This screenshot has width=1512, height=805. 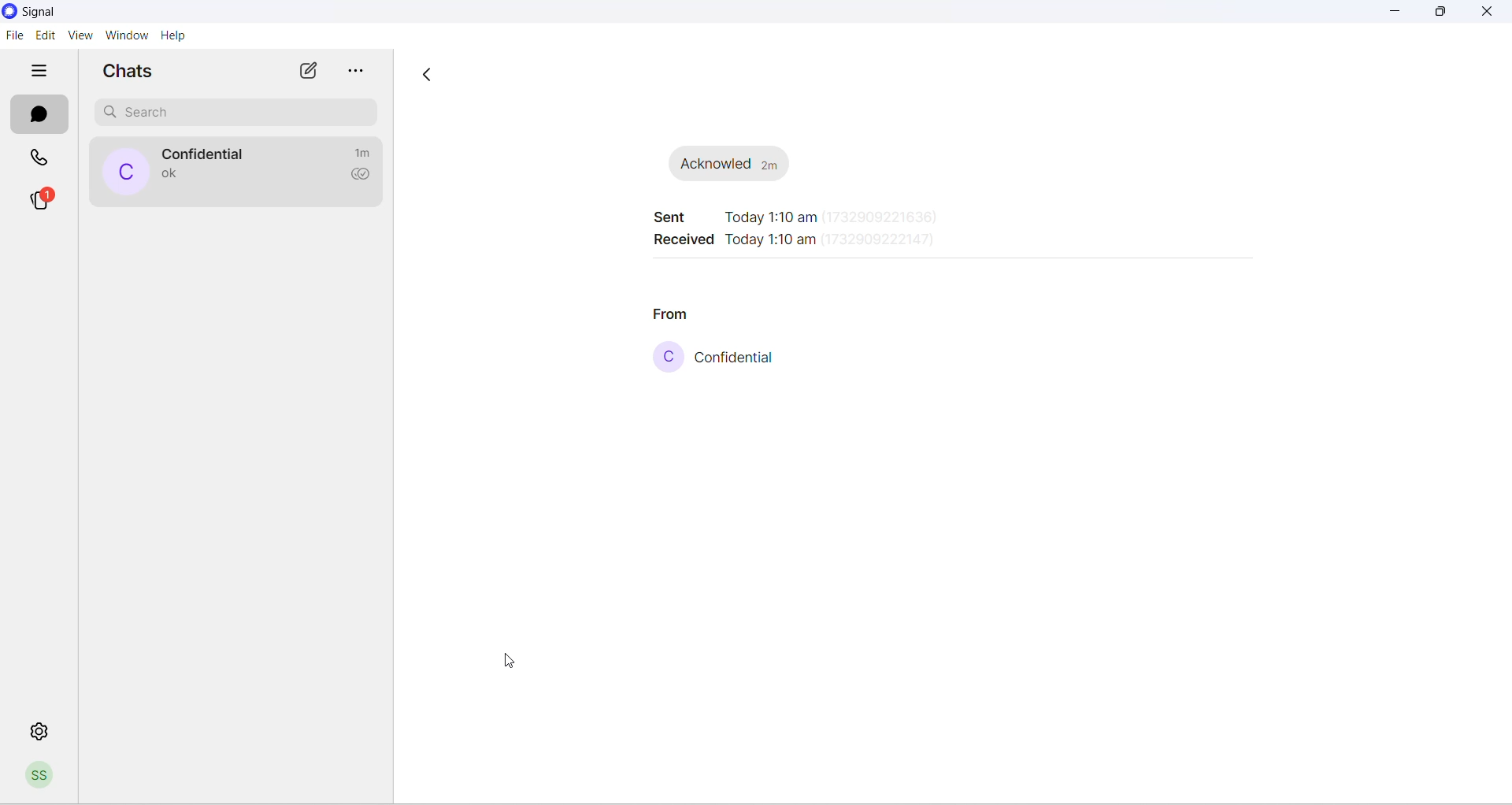 What do you see at coordinates (738, 165) in the screenshot?
I see `message` at bounding box center [738, 165].